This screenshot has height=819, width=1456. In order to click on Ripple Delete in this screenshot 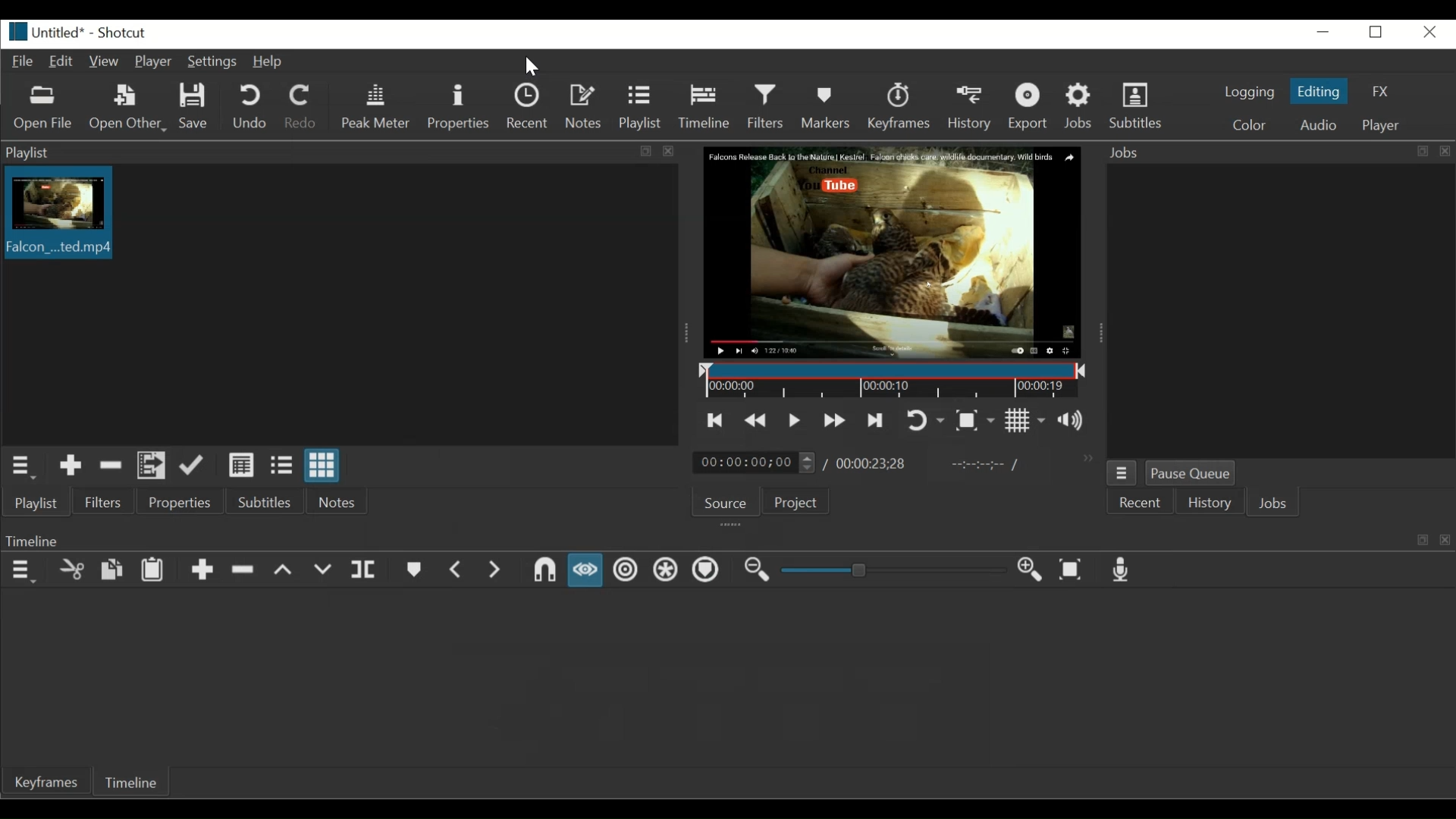, I will do `click(243, 570)`.